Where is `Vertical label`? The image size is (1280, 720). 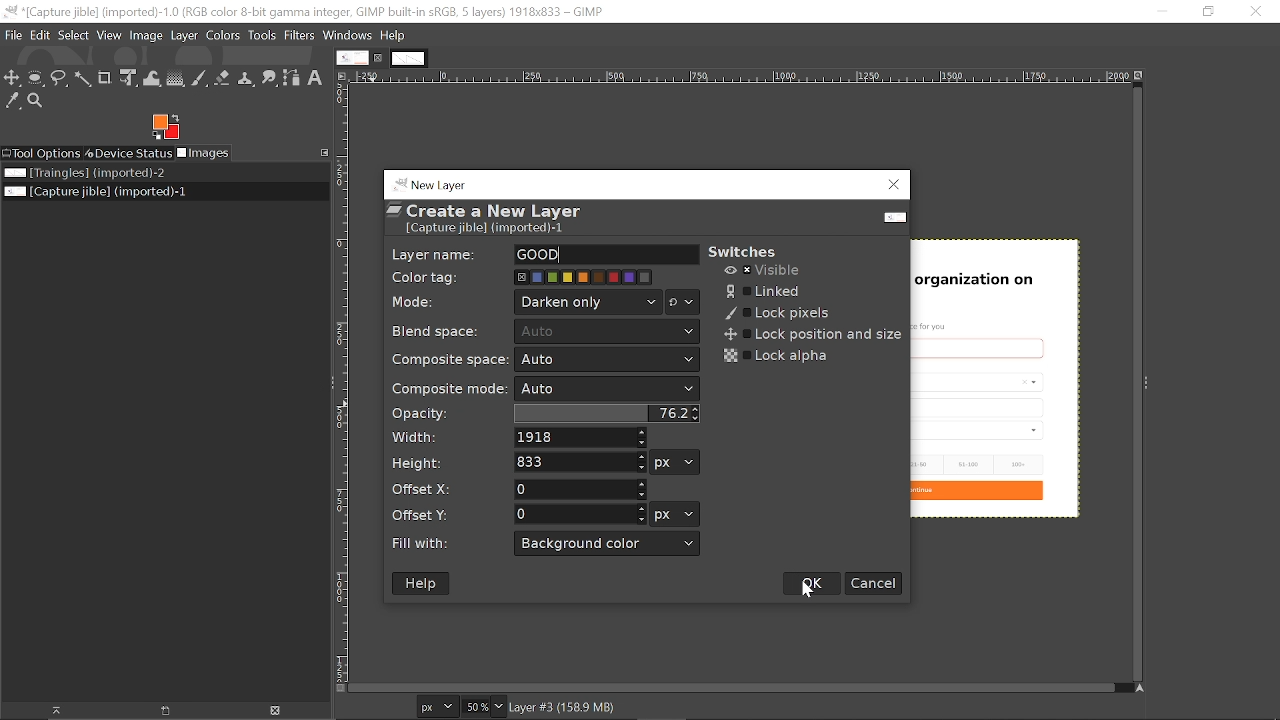 Vertical label is located at coordinates (341, 382).